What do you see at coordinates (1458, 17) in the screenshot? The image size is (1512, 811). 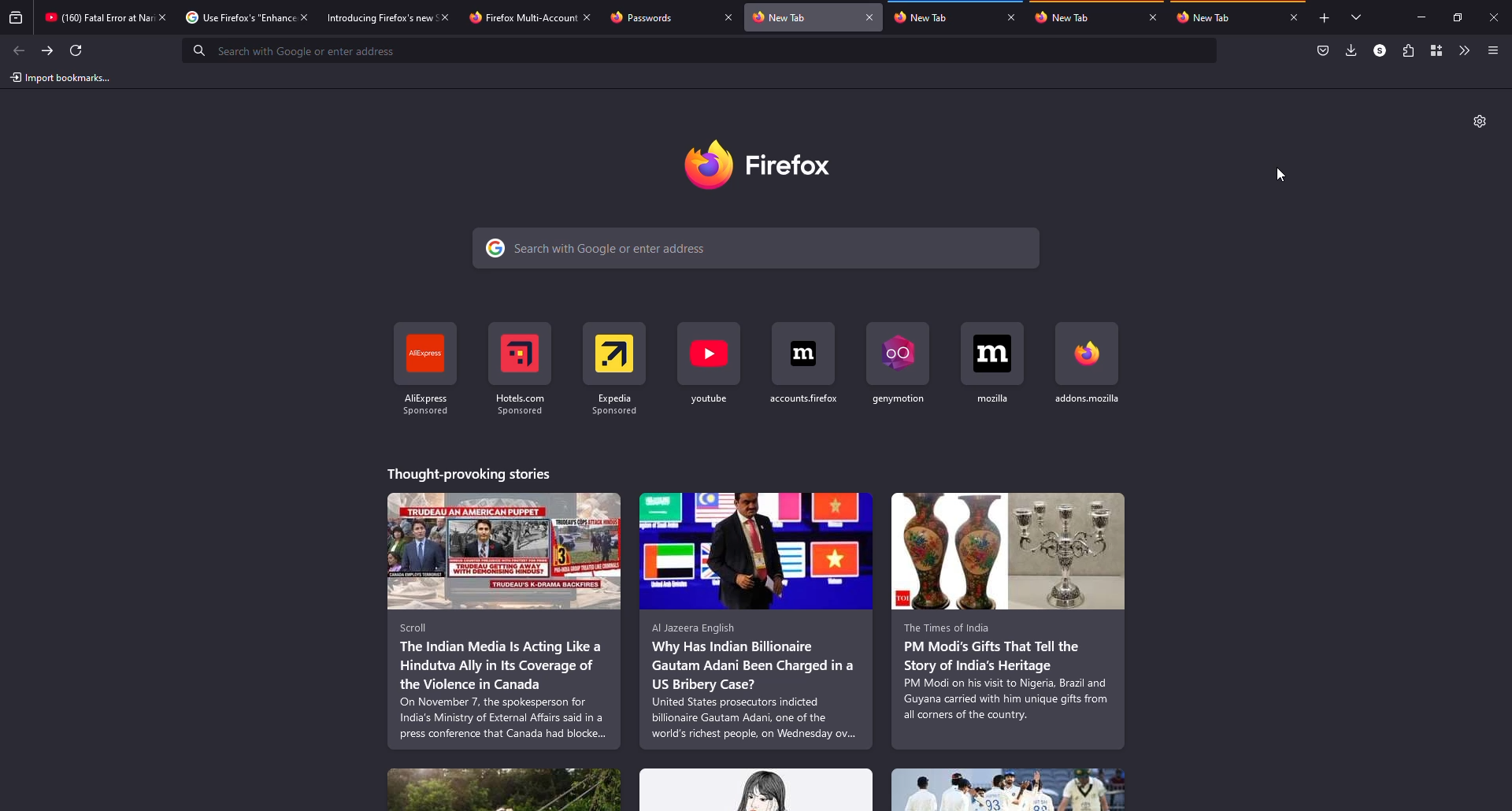 I see `maximize` at bounding box center [1458, 17].